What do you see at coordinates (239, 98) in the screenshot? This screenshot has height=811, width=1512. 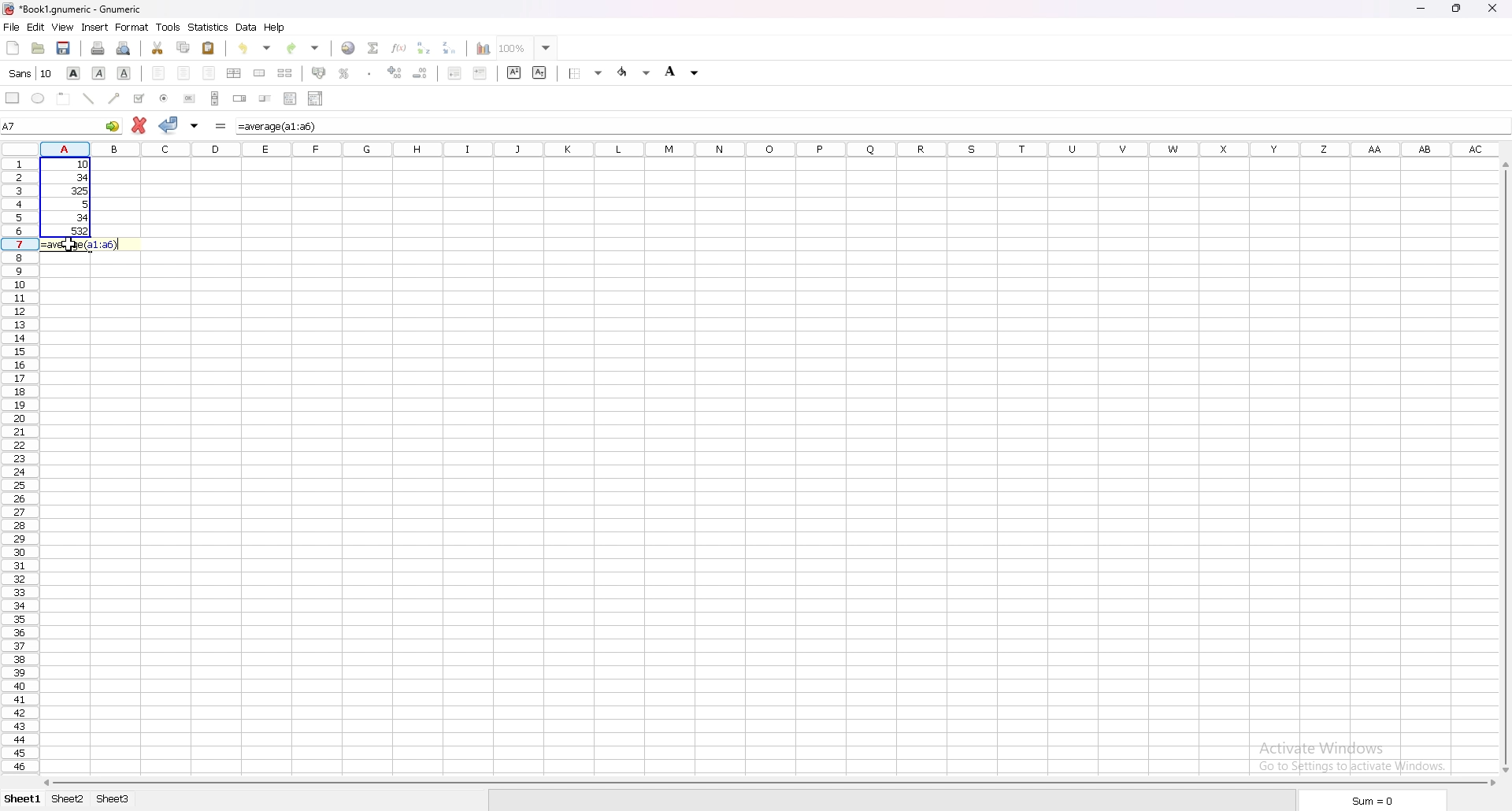 I see `spin button` at bounding box center [239, 98].